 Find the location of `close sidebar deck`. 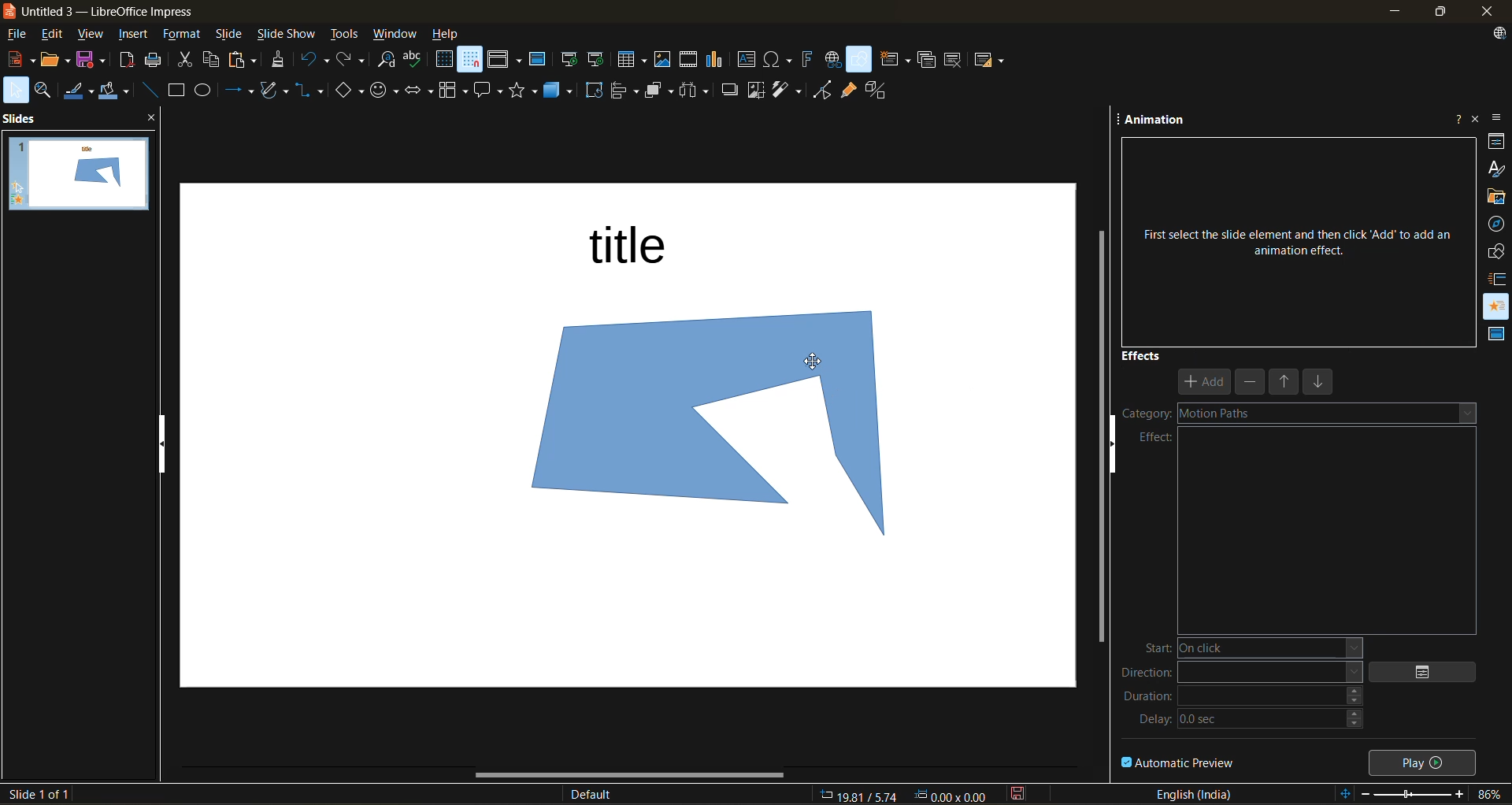

close sidebar deck is located at coordinates (1478, 117).